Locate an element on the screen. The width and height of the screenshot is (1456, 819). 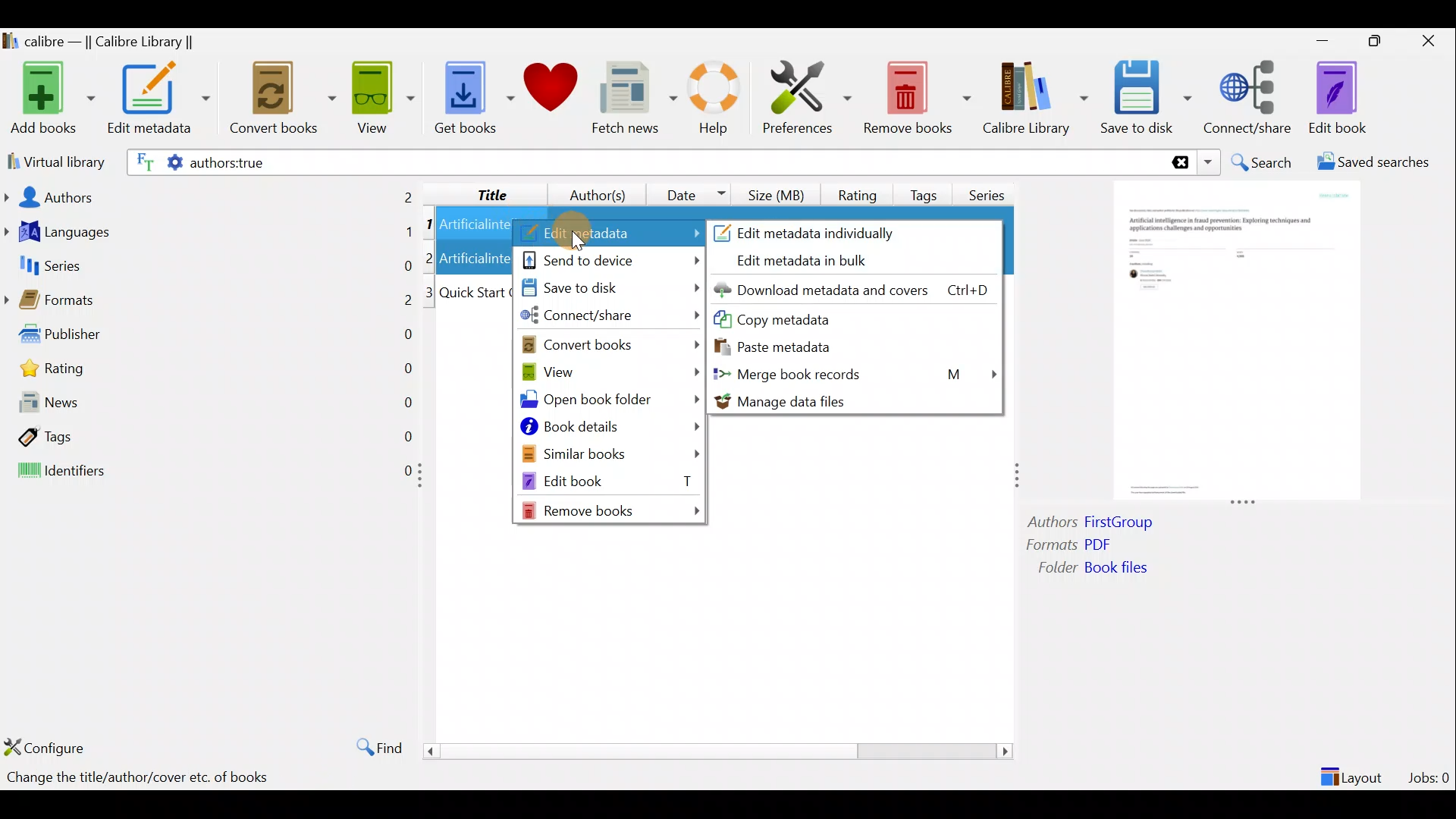
Edit metadata individually is located at coordinates (824, 231).